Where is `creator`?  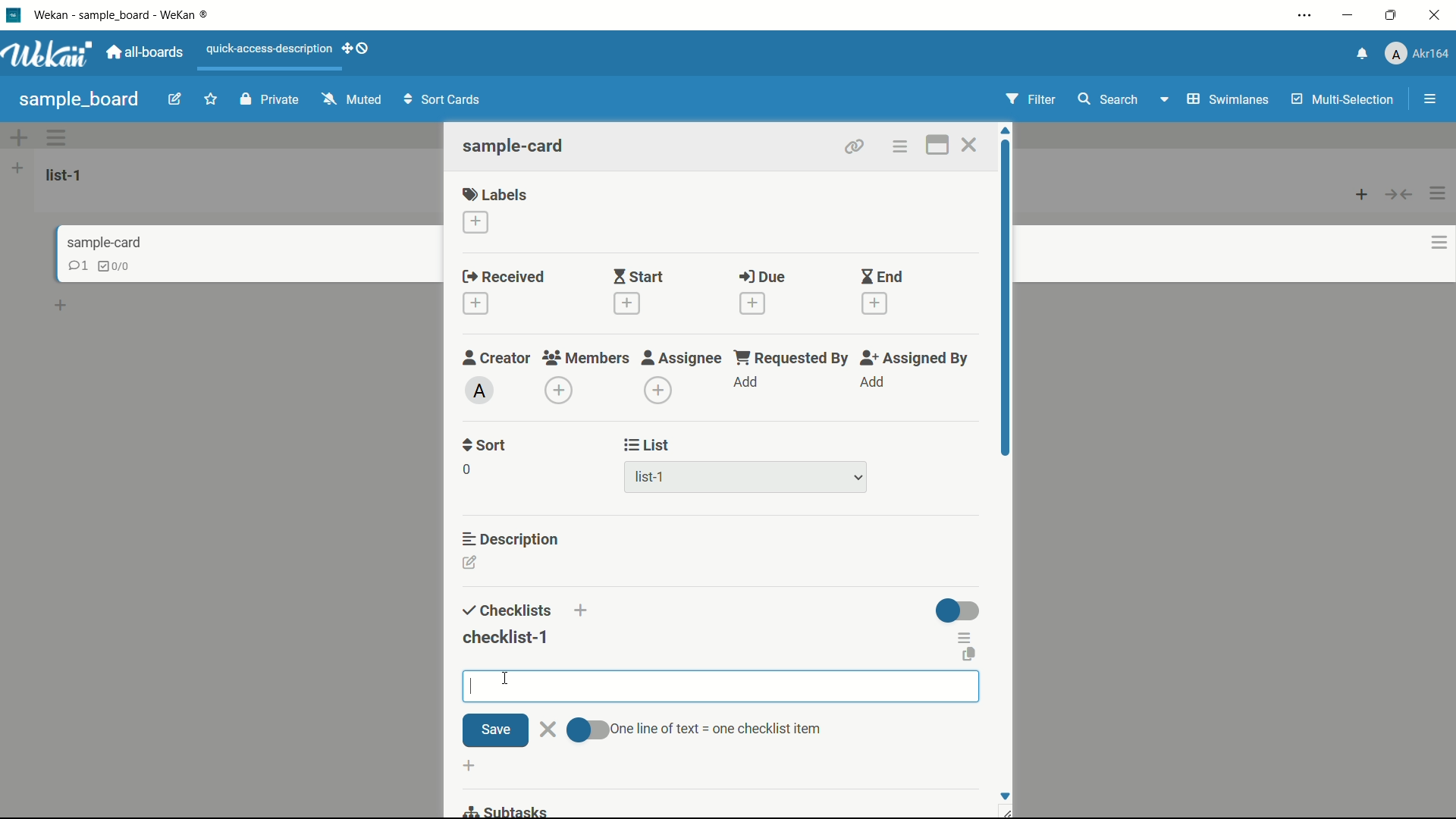 creator is located at coordinates (494, 359).